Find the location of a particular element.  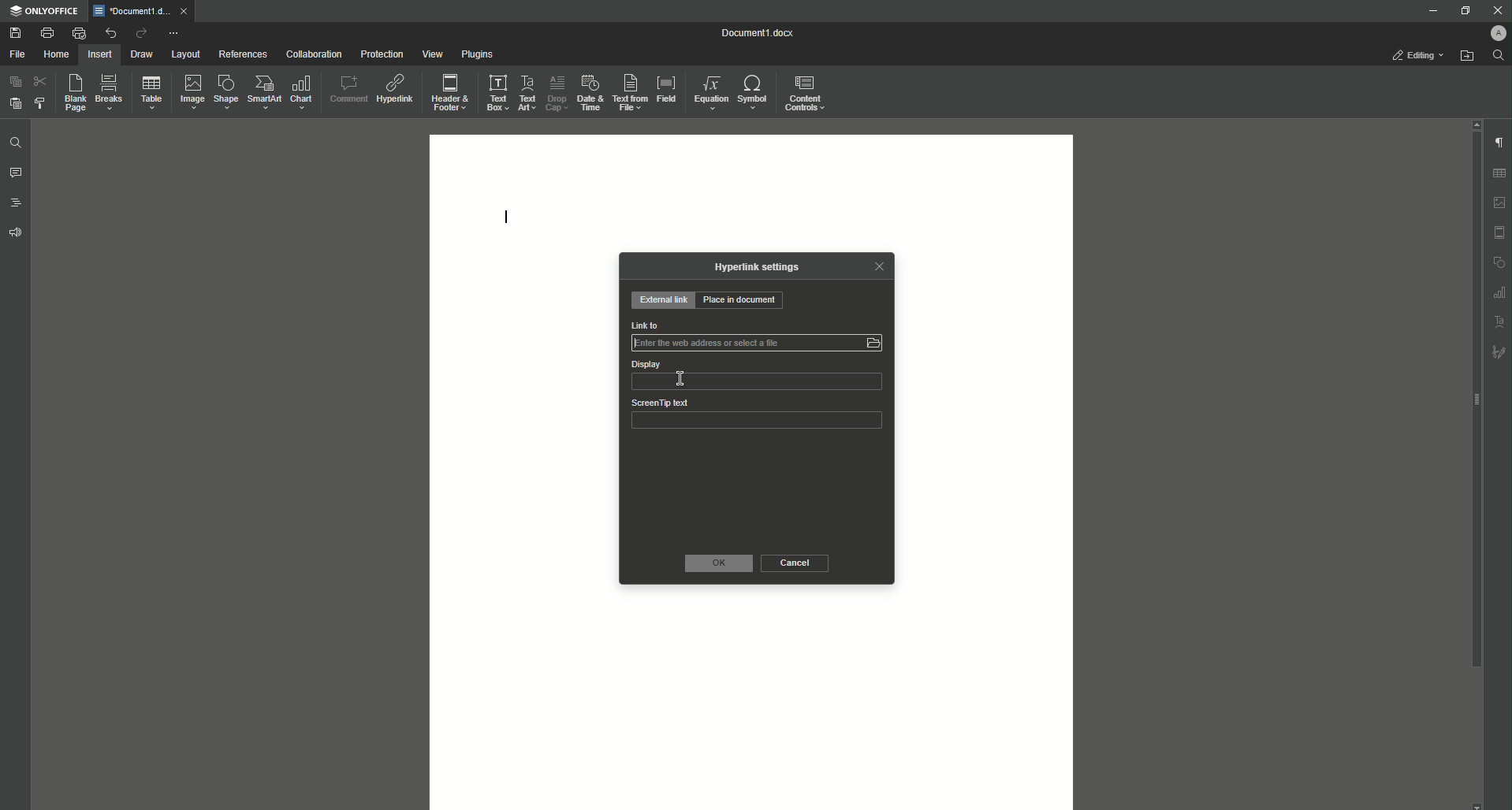

Breaks is located at coordinates (111, 91).